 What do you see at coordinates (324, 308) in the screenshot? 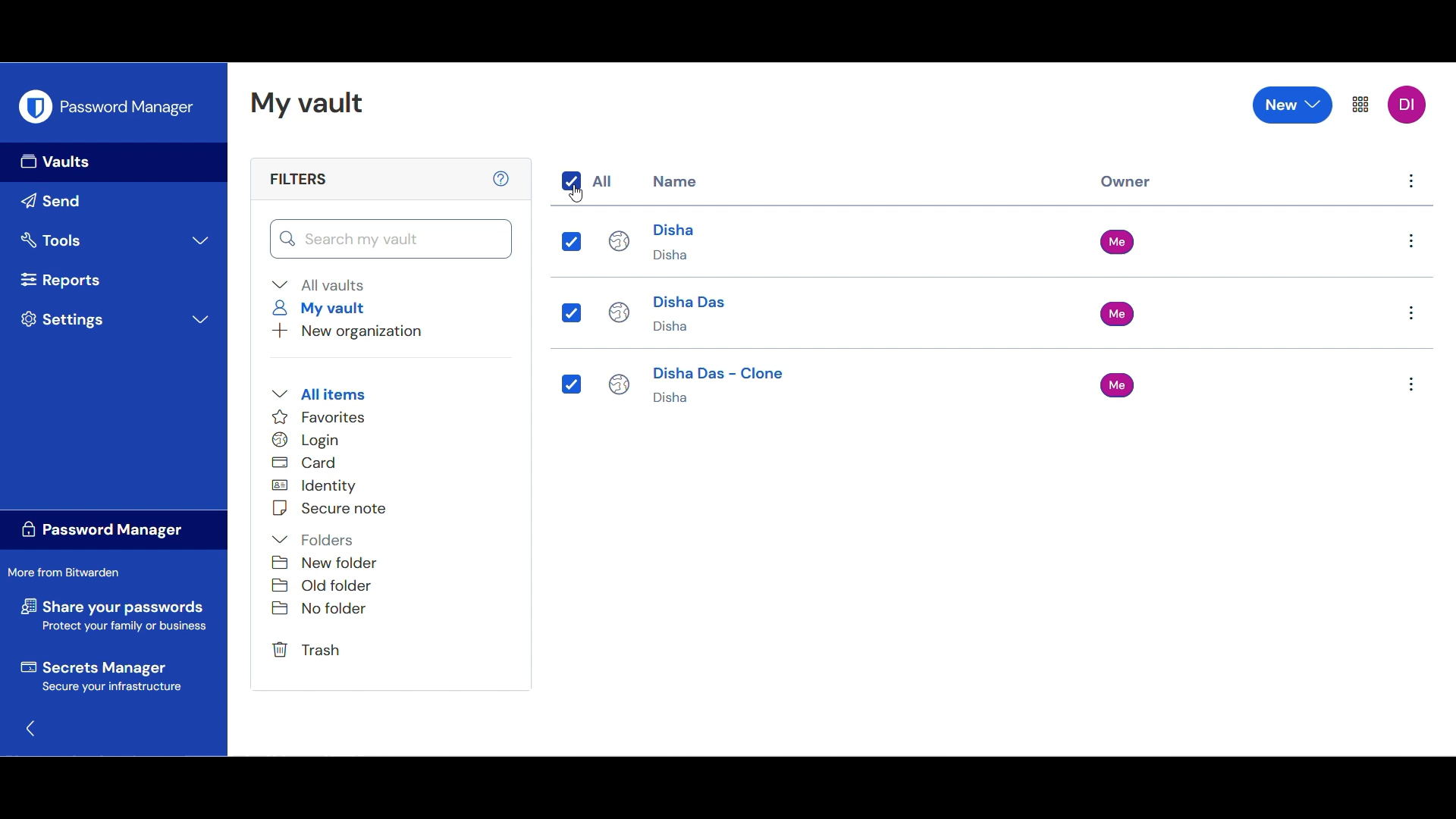
I see `My vault` at bounding box center [324, 308].